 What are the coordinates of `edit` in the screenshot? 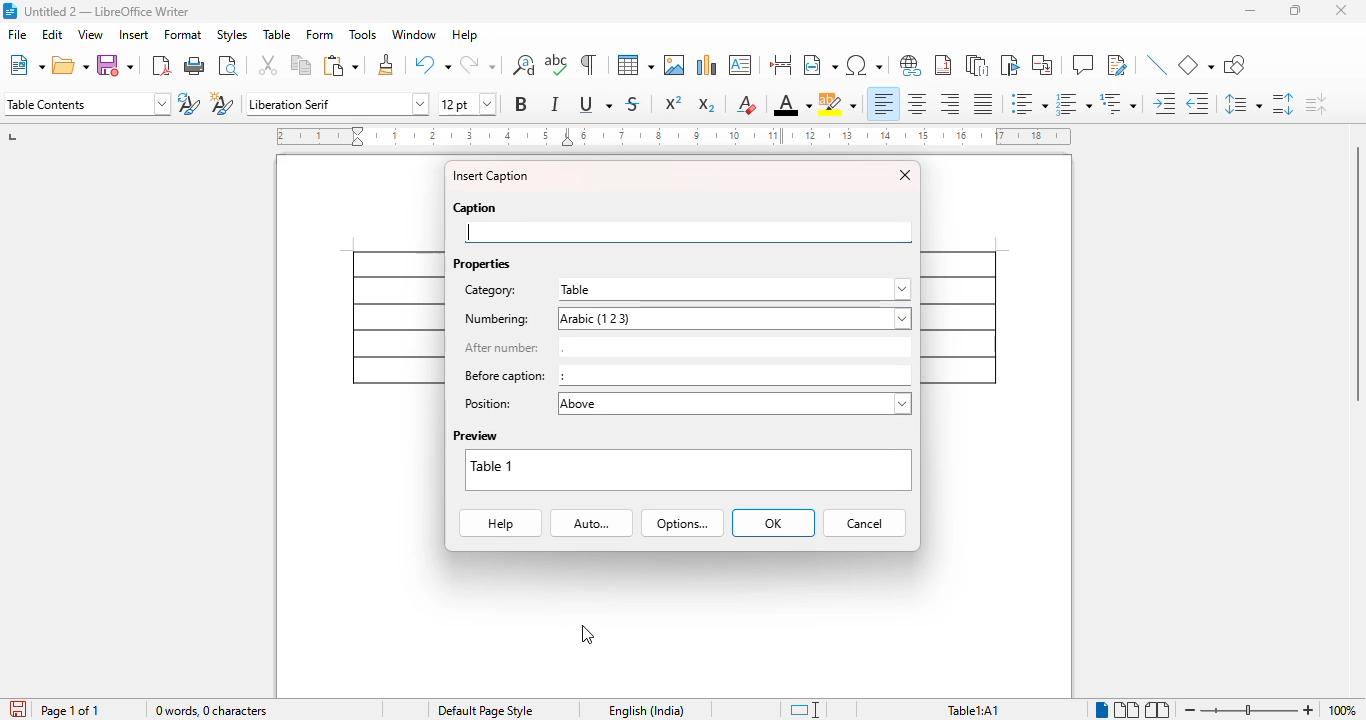 It's located at (54, 34).